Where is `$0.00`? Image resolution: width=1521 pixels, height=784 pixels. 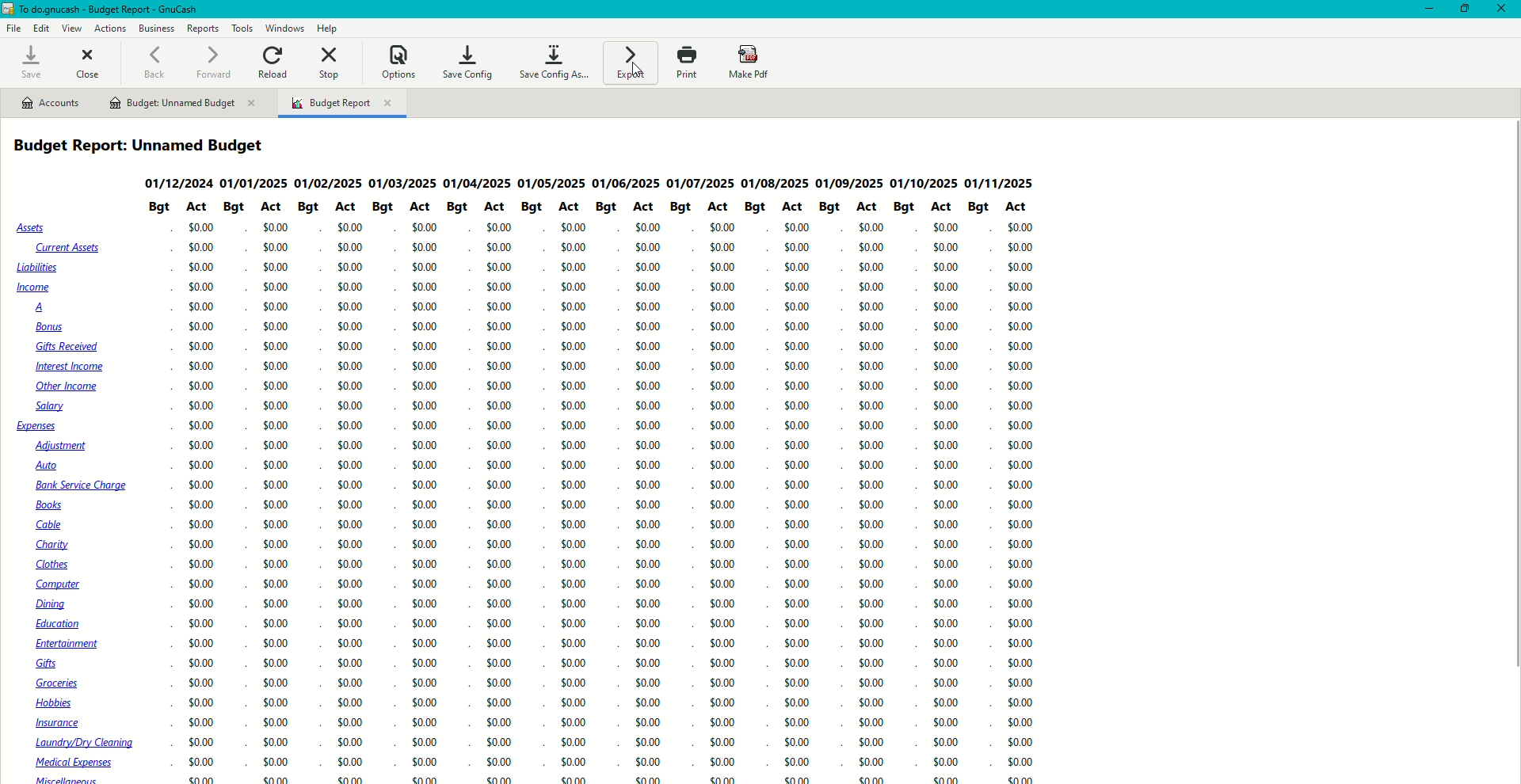 $0.00 is located at coordinates (501, 227).